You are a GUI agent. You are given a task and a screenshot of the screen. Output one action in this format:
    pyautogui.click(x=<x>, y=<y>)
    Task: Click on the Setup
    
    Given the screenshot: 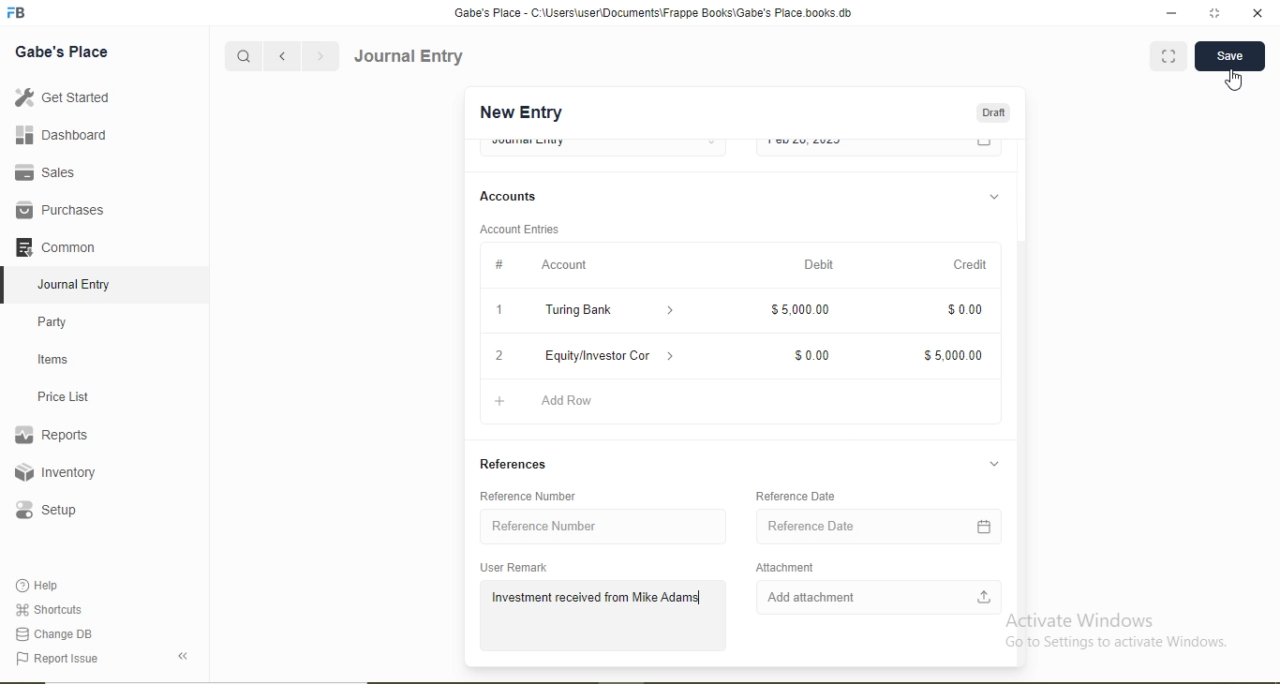 What is the action you would take?
    pyautogui.click(x=45, y=510)
    